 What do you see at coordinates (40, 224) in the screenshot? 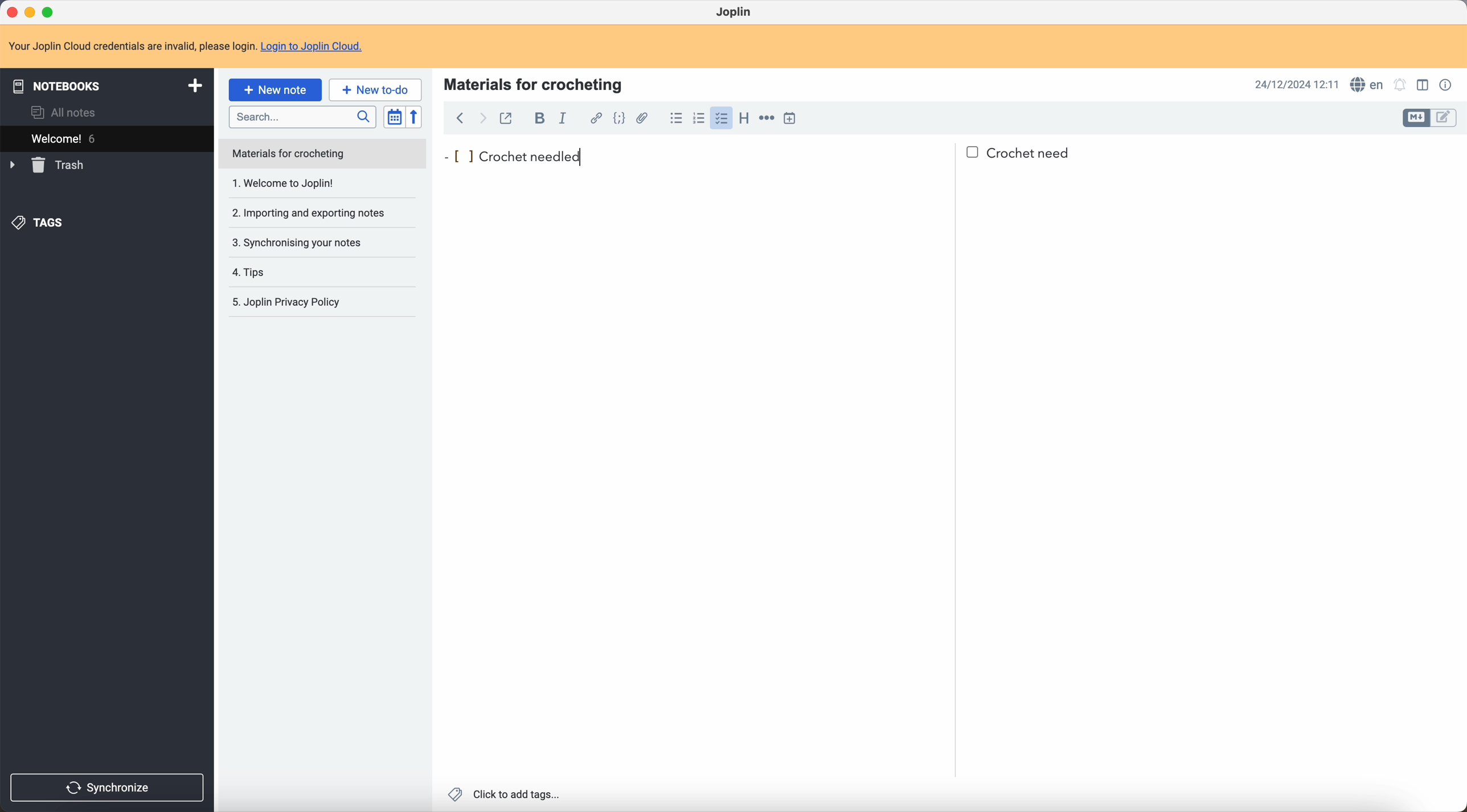
I see `tags` at bounding box center [40, 224].